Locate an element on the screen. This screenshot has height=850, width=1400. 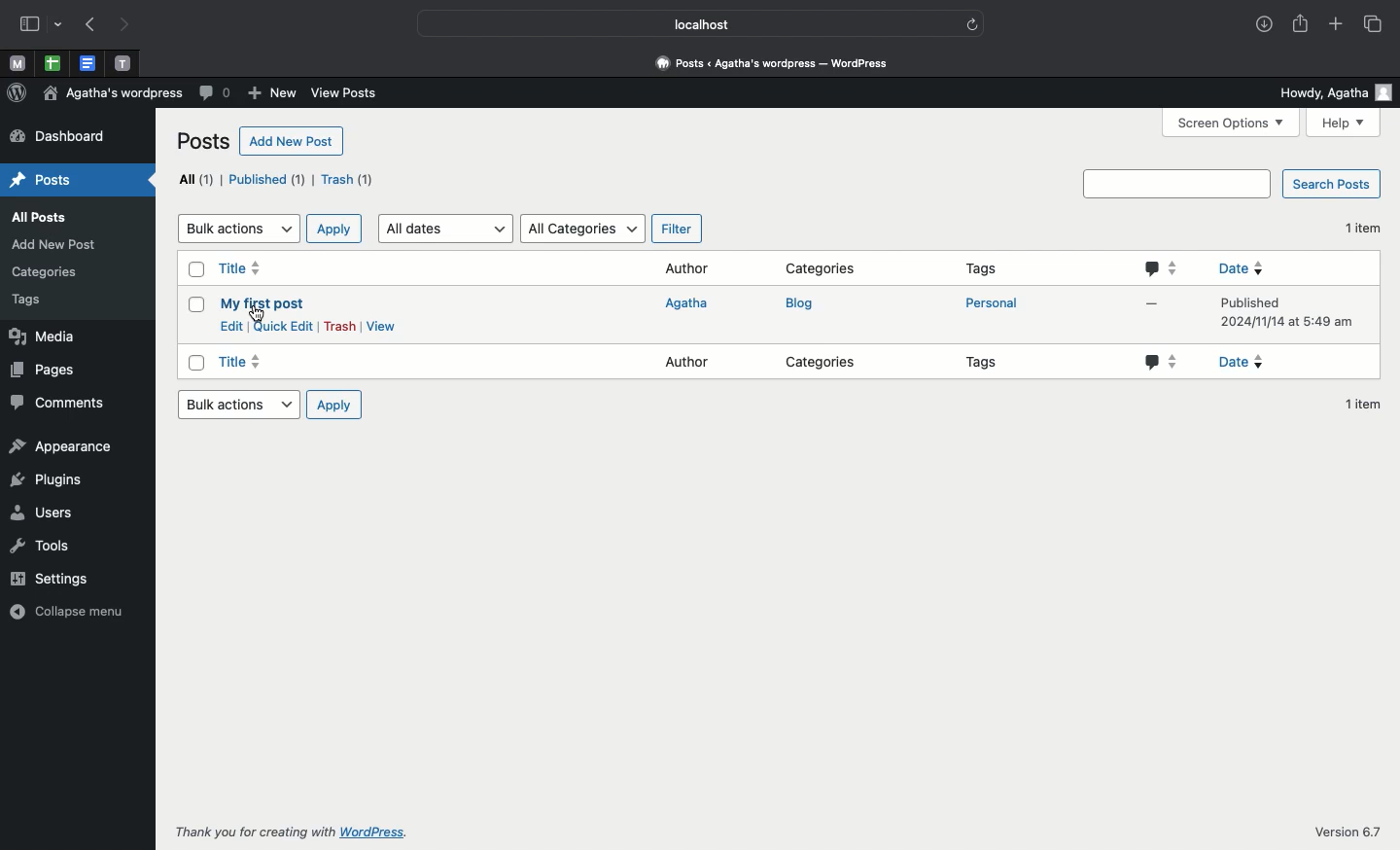
excel sheet is located at coordinates (51, 62).